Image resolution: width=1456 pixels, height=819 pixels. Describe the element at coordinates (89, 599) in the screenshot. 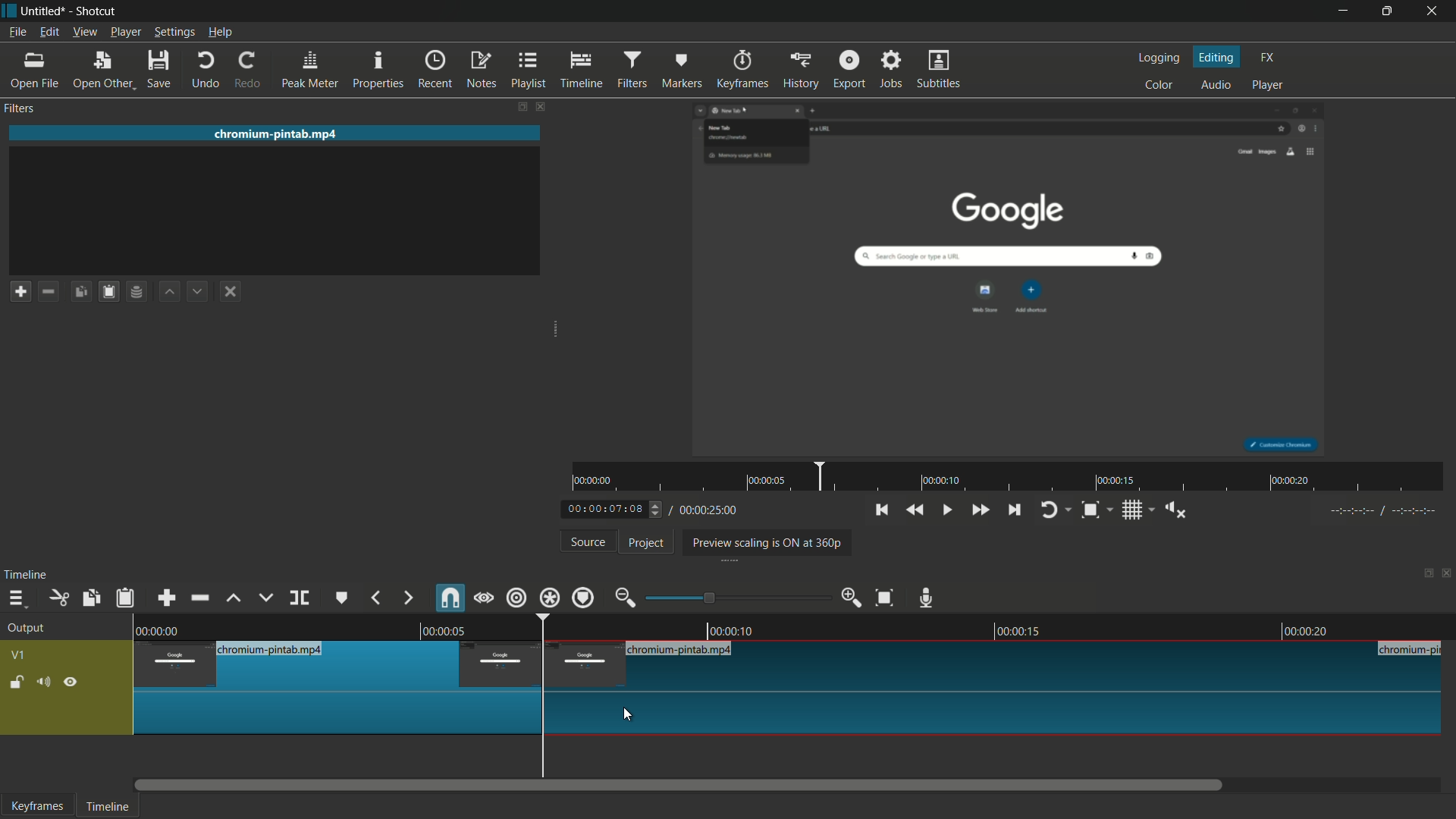

I see `copy checked filters` at that location.